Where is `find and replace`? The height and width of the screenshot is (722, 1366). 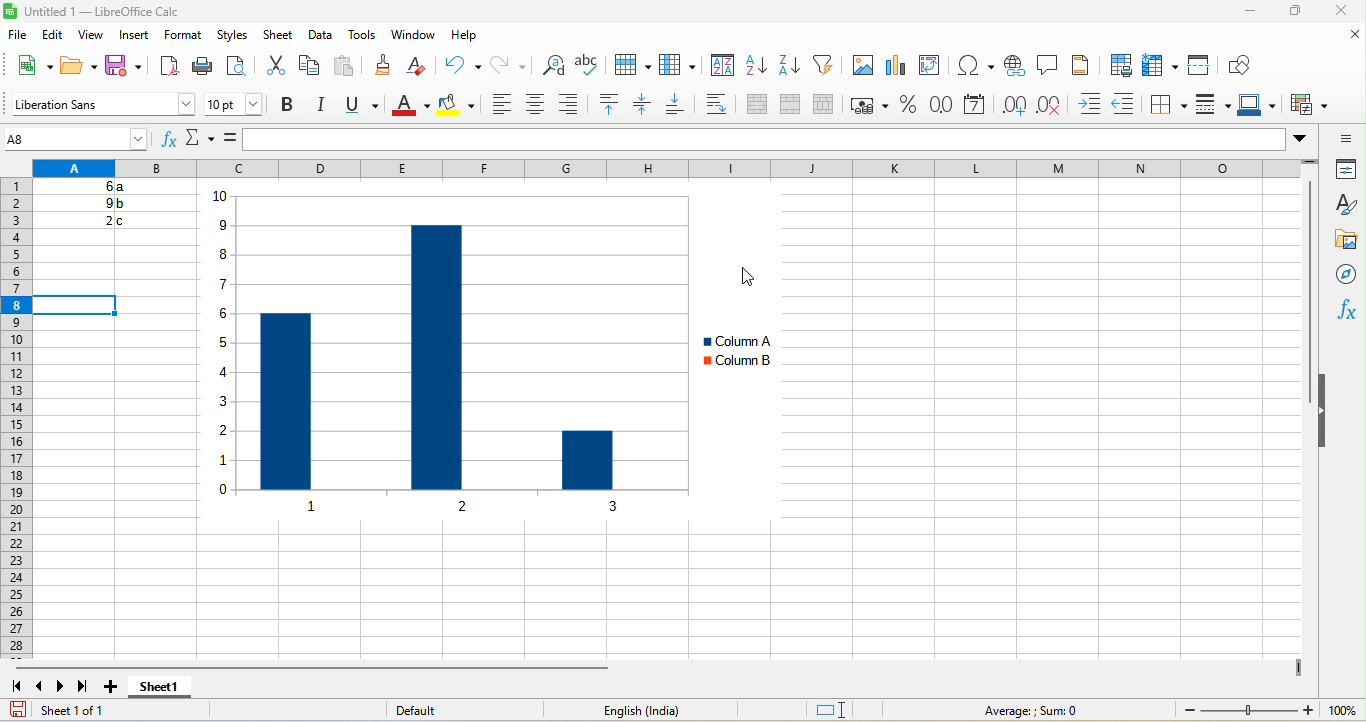
find and replace is located at coordinates (556, 71).